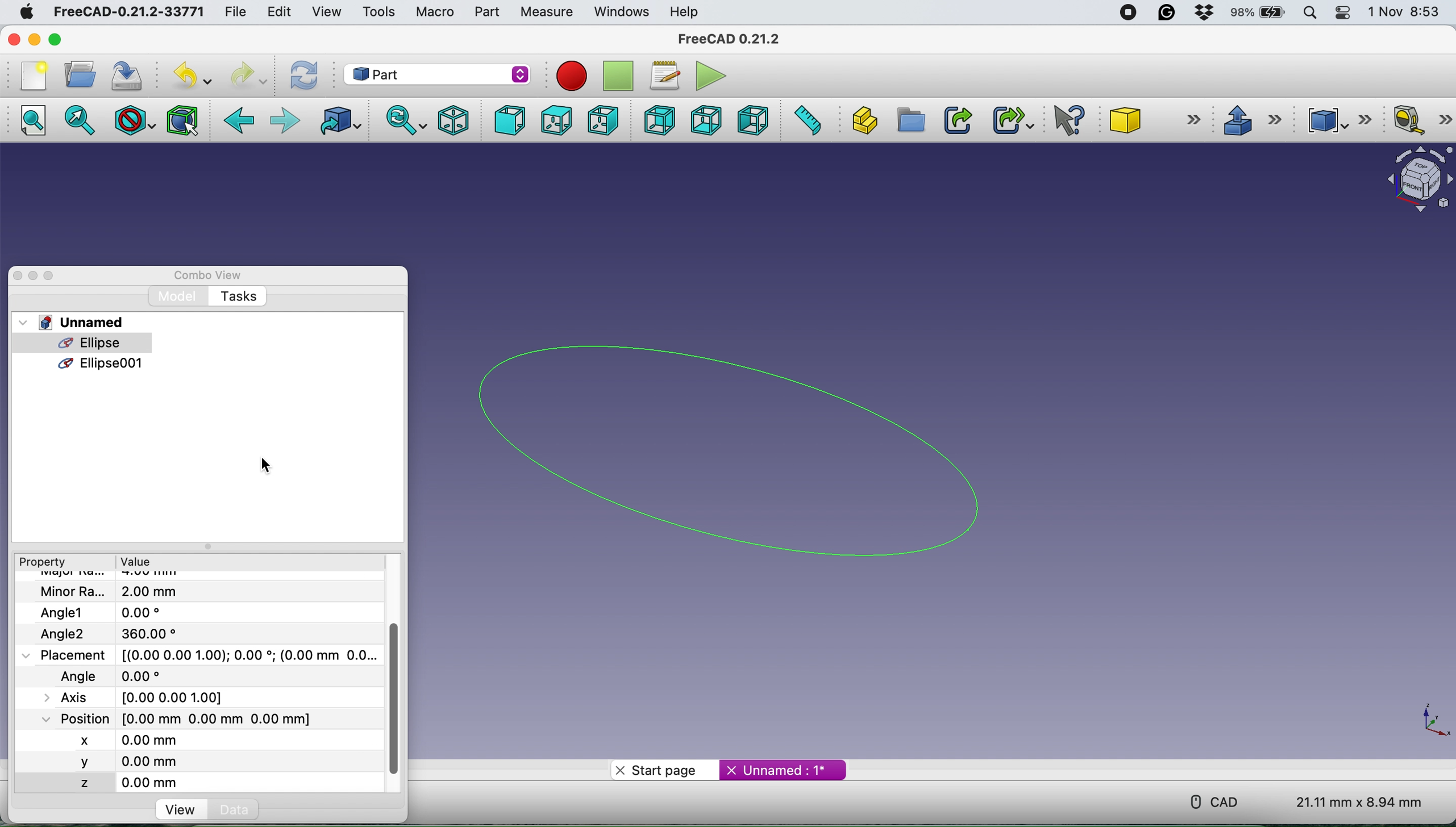  What do you see at coordinates (138, 563) in the screenshot?
I see `value` at bounding box center [138, 563].